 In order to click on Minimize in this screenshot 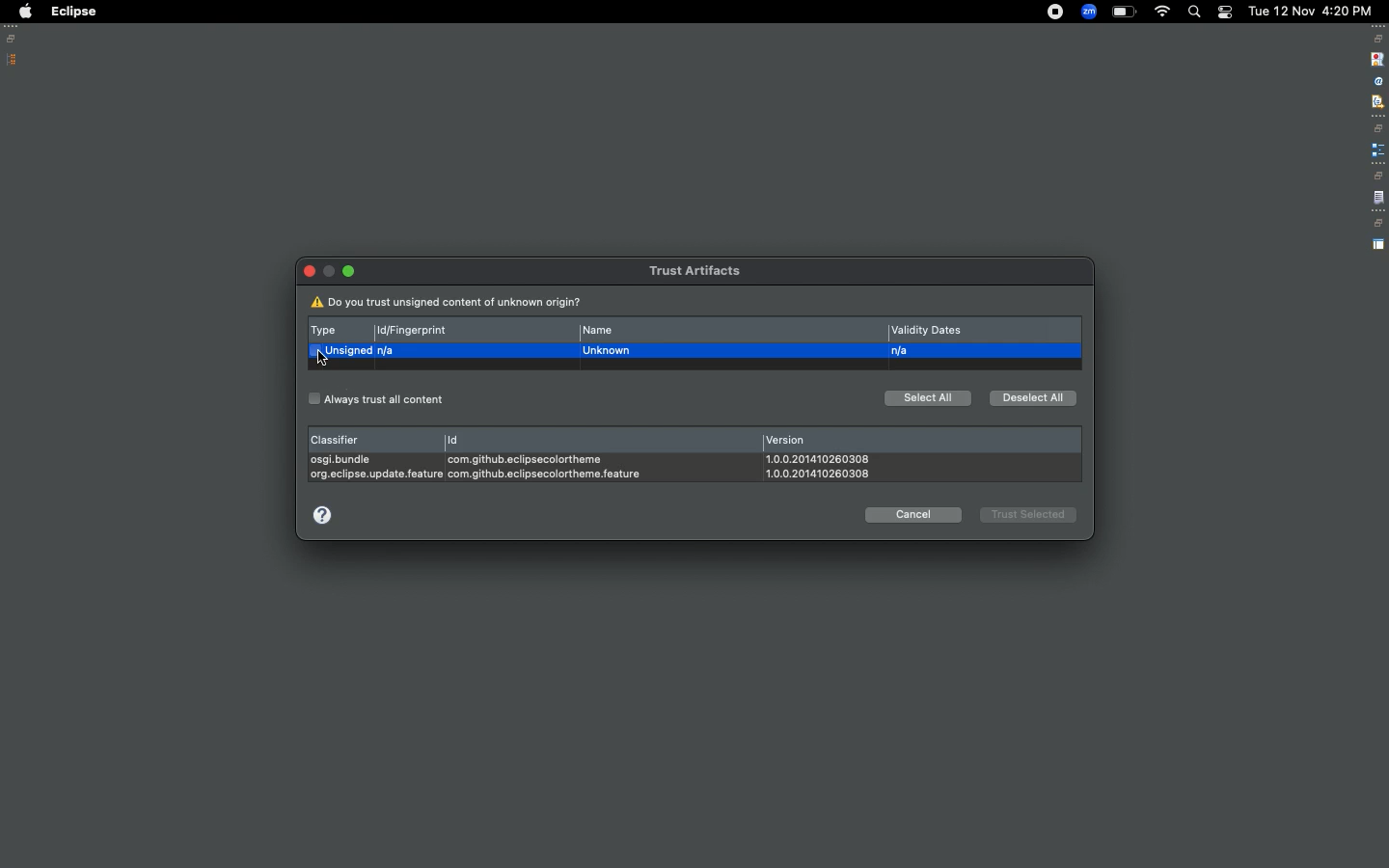, I will do `click(351, 272)`.